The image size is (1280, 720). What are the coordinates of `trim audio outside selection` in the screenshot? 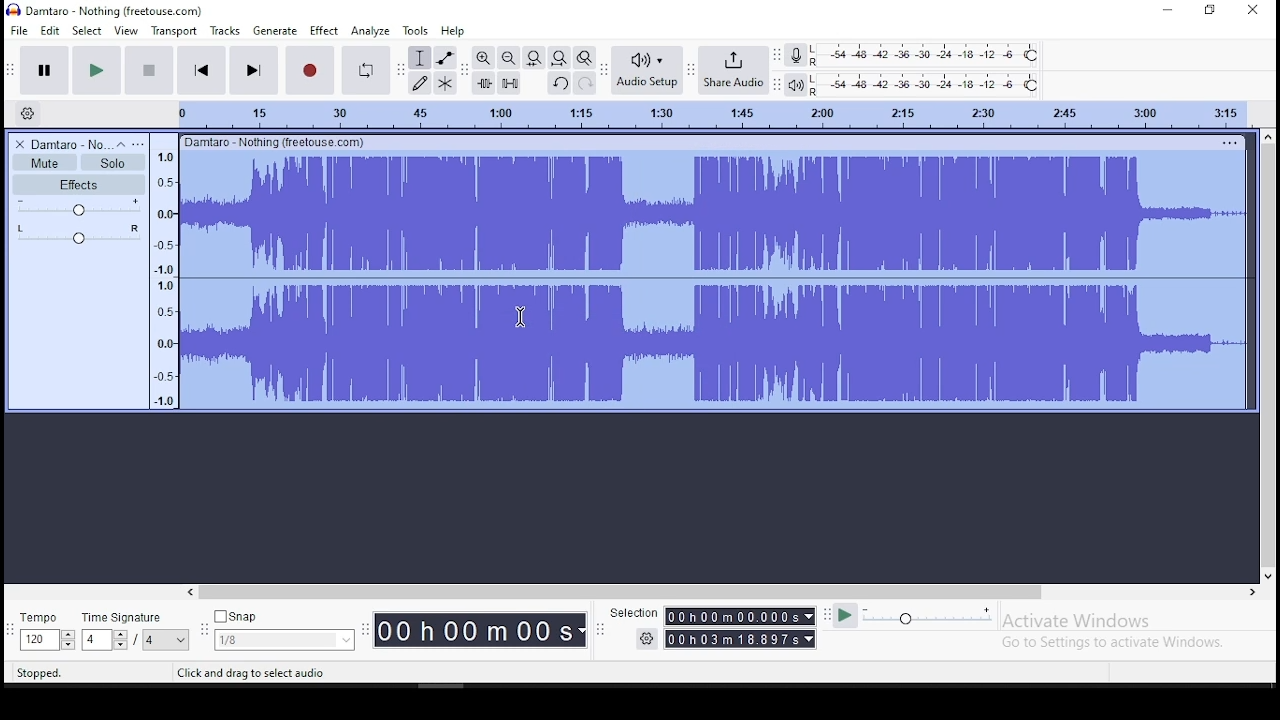 It's located at (484, 83).